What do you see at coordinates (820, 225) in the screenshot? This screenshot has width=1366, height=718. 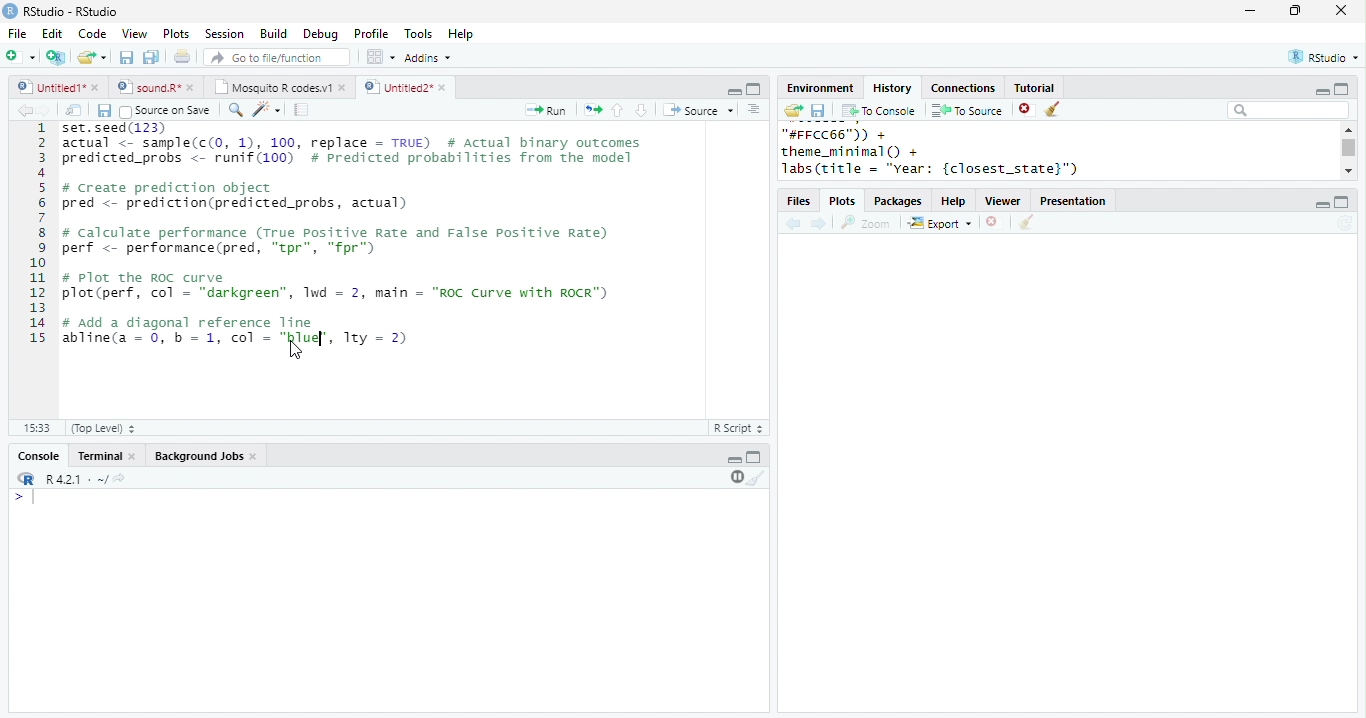 I see `forward` at bounding box center [820, 225].